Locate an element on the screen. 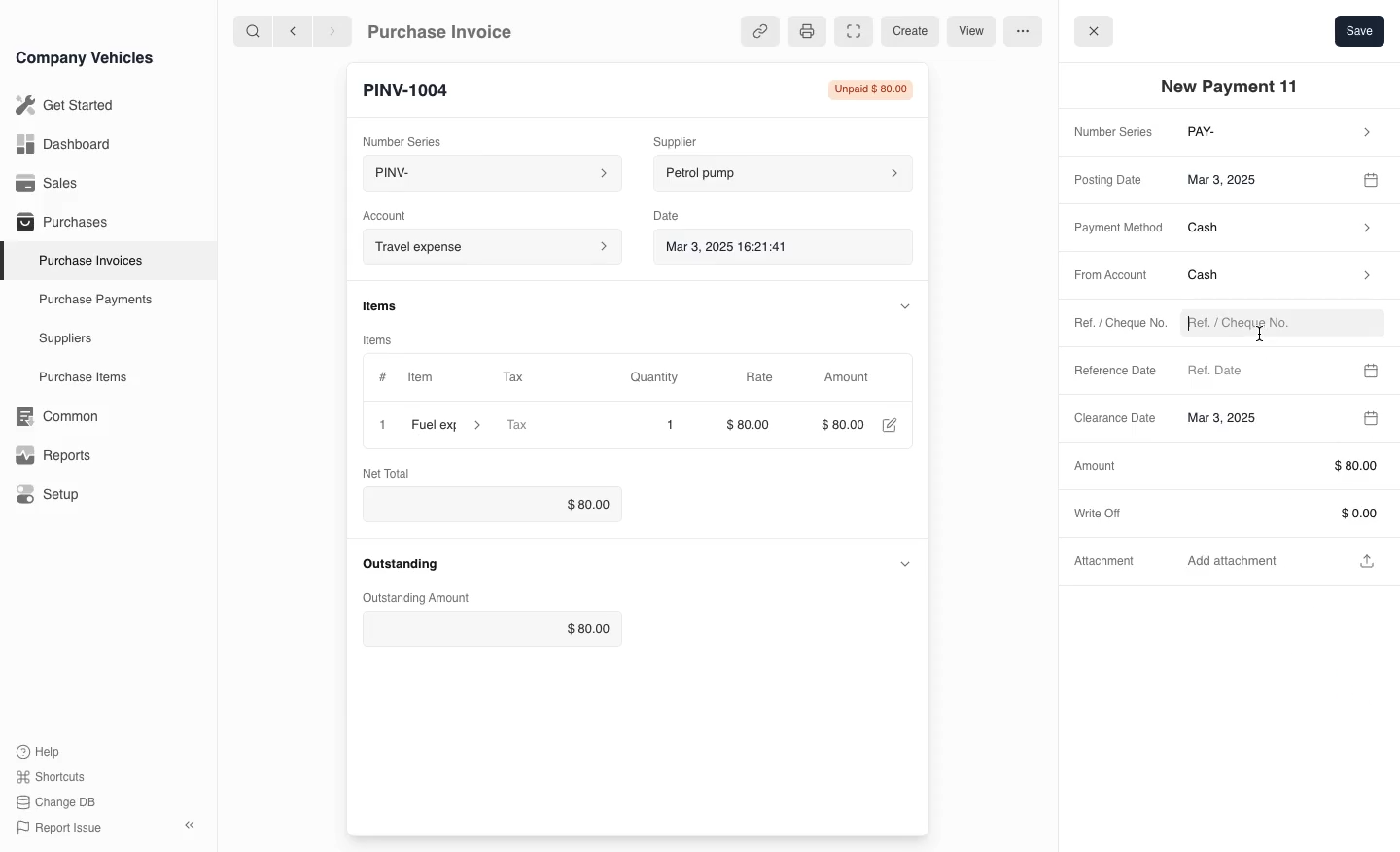  Account is located at coordinates (397, 213).